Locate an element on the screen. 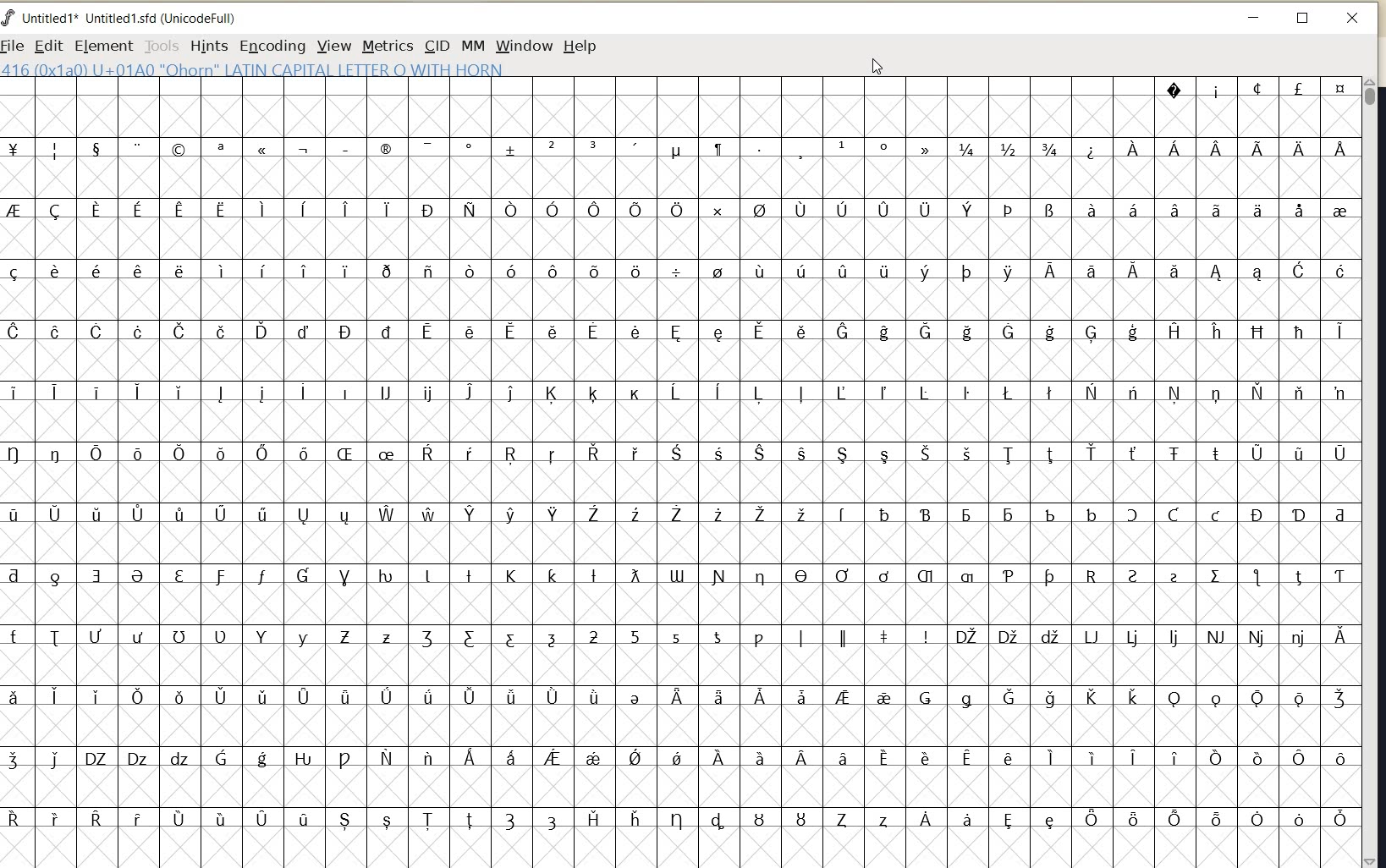  FILE is located at coordinates (14, 47).